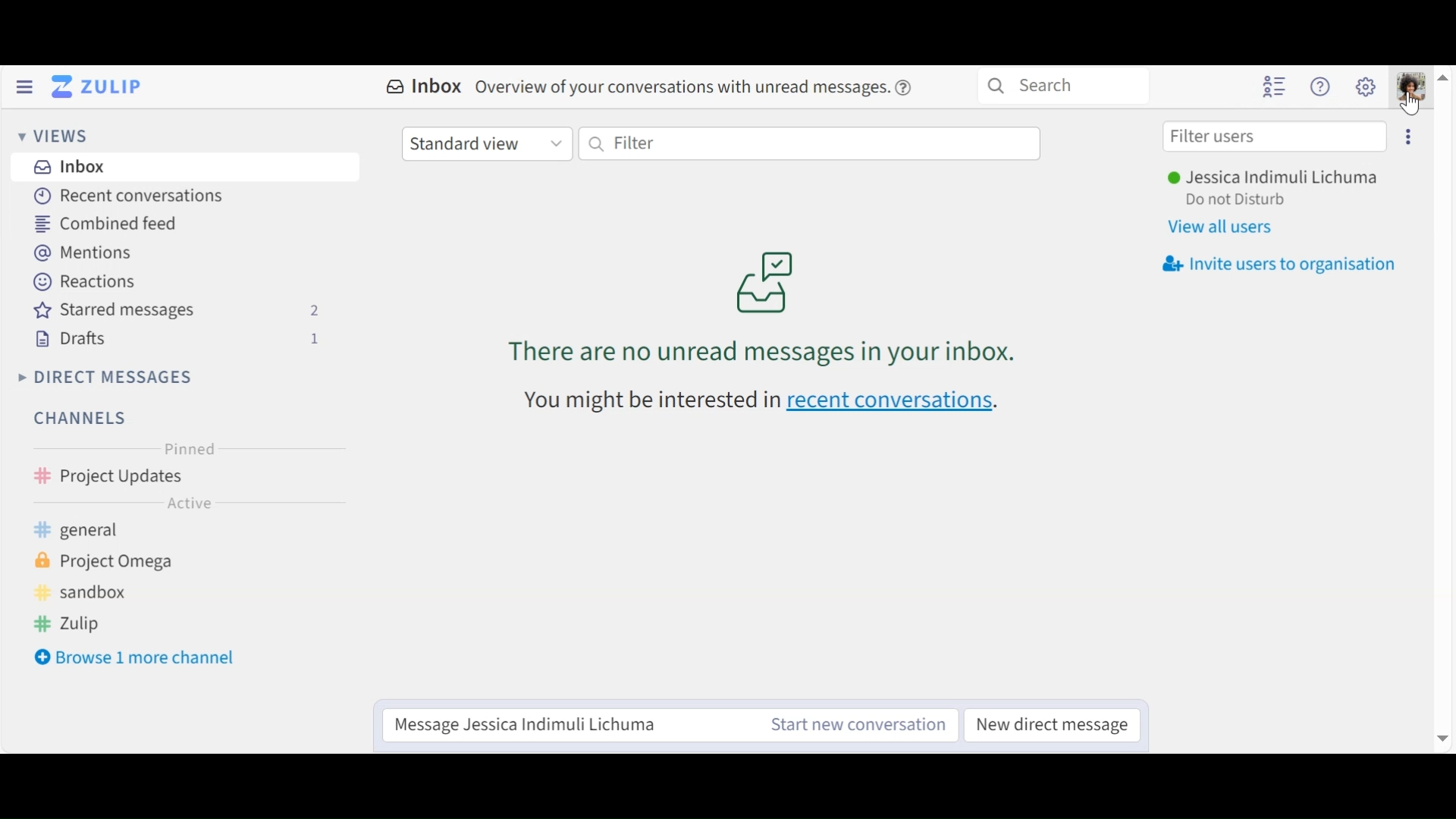 The height and width of the screenshot is (819, 1456). Describe the element at coordinates (101, 86) in the screenshot. I see `Go to Home View` at that location.